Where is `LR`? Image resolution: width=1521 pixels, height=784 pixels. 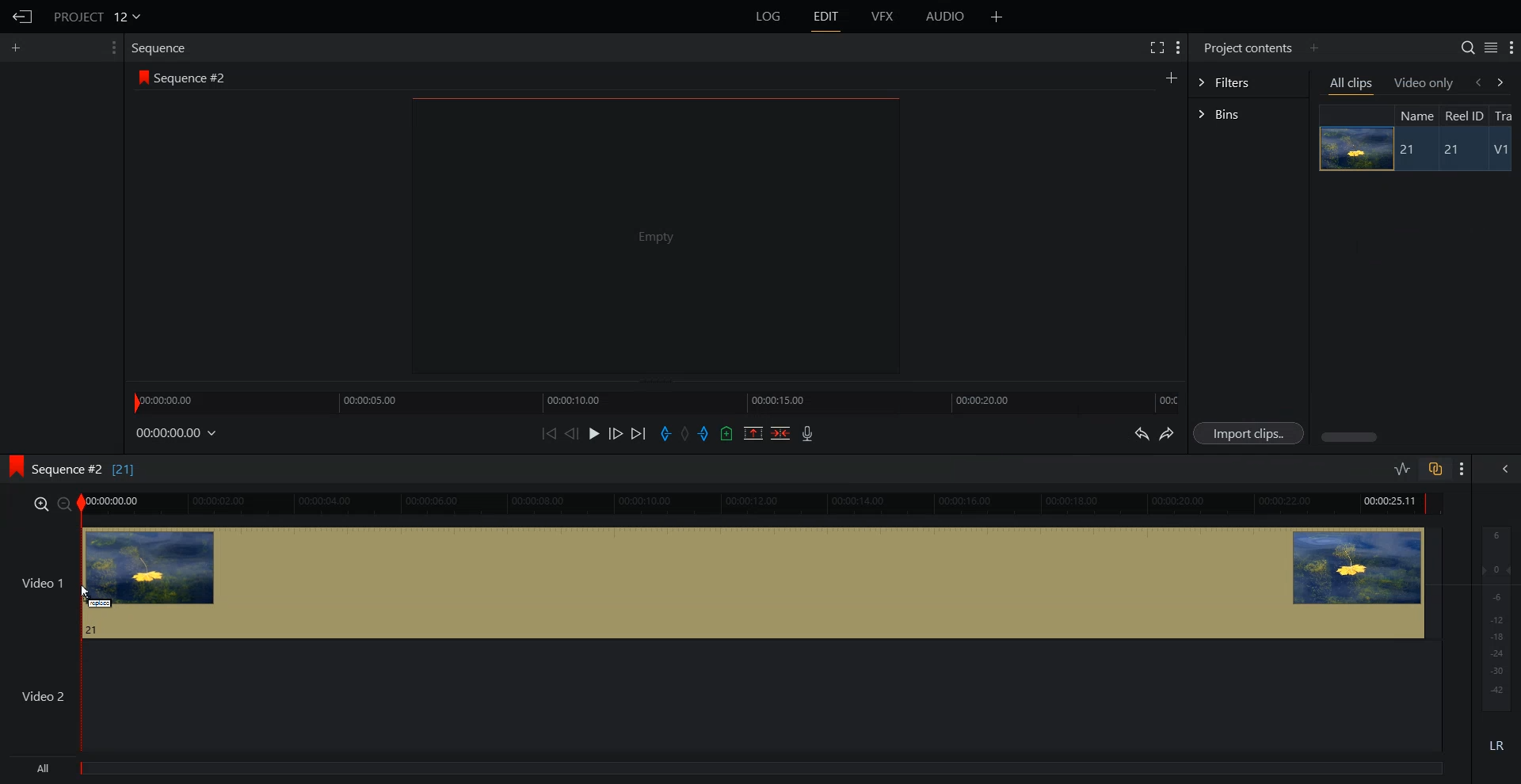 LR is located at coordinates (1494, 748).